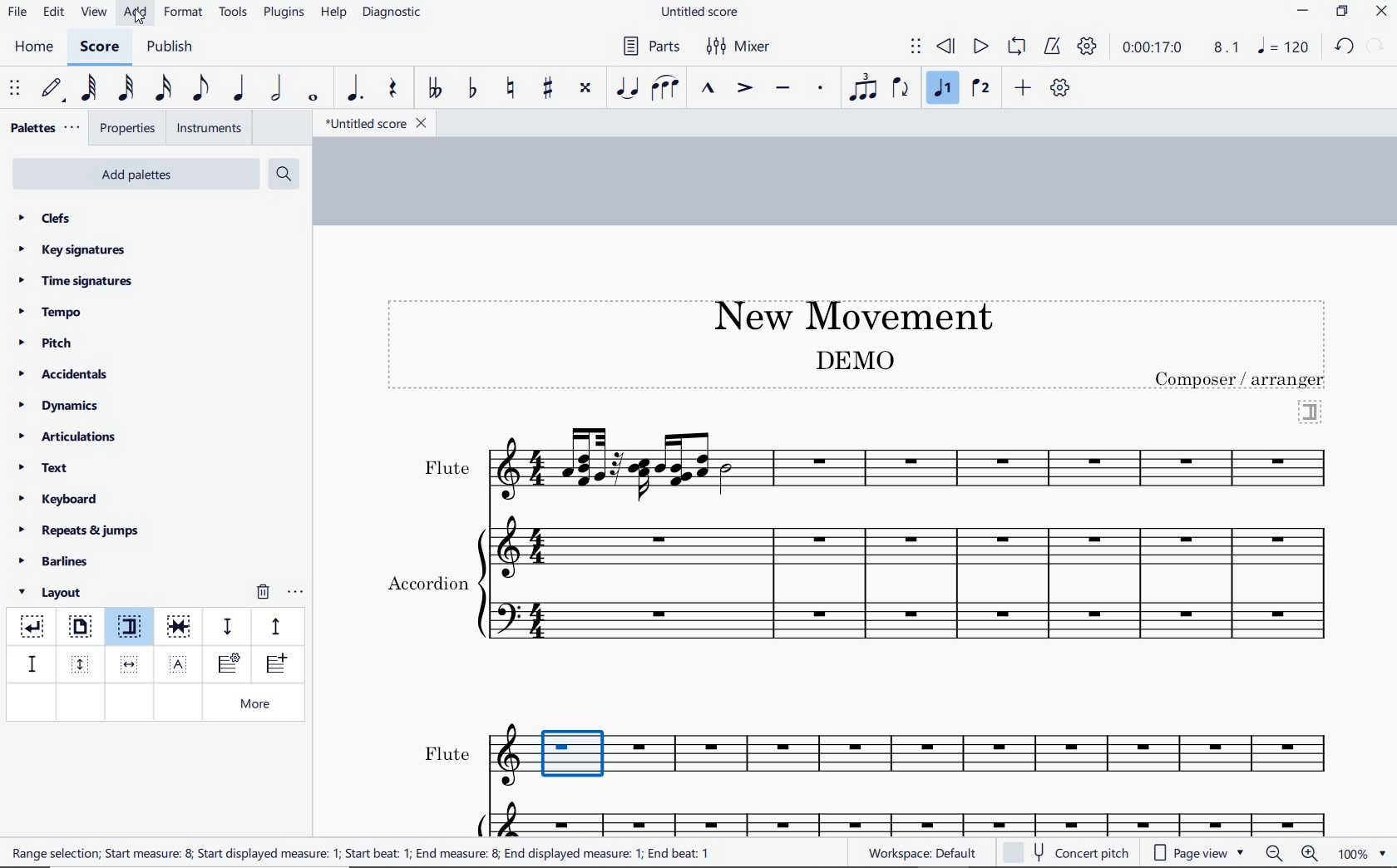 The height and width of the screenshot is (868, 1397). Describe the element at coordinates (1381, 13) in the screenshot. I see `close` at that location.